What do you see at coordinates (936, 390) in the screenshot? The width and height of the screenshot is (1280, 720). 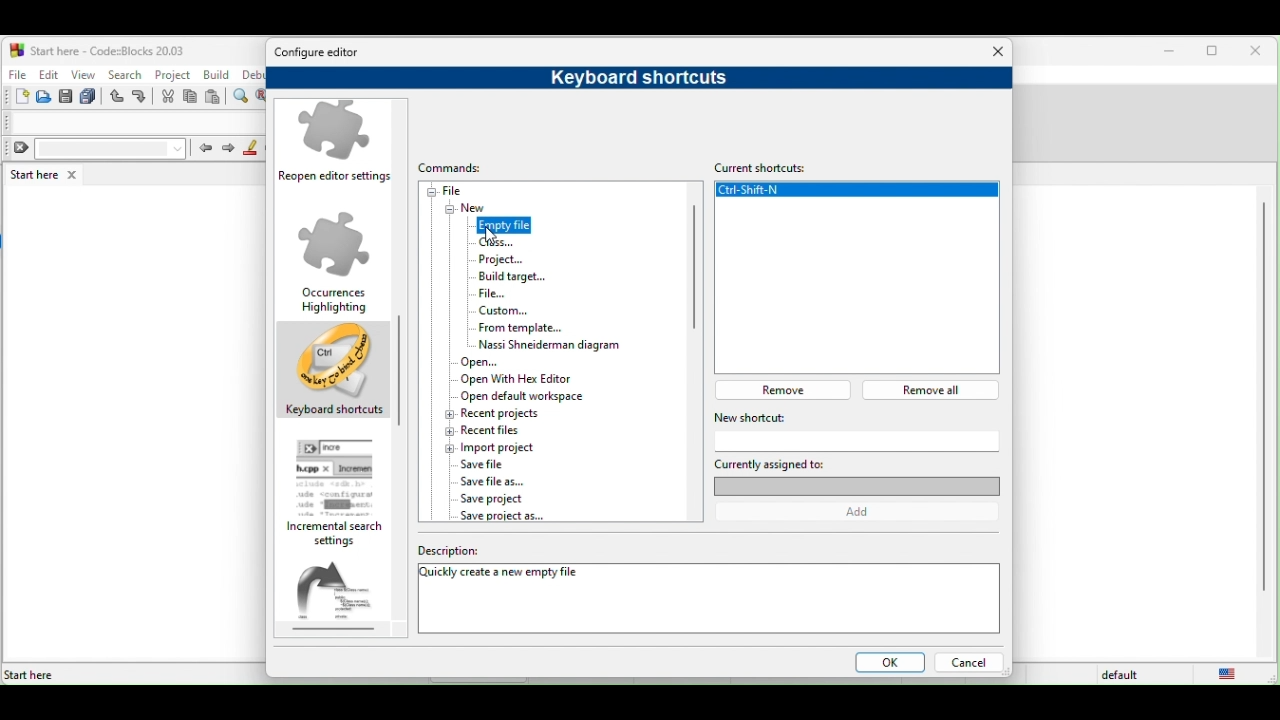 I see `remove all` at bounding box center [936, 390].